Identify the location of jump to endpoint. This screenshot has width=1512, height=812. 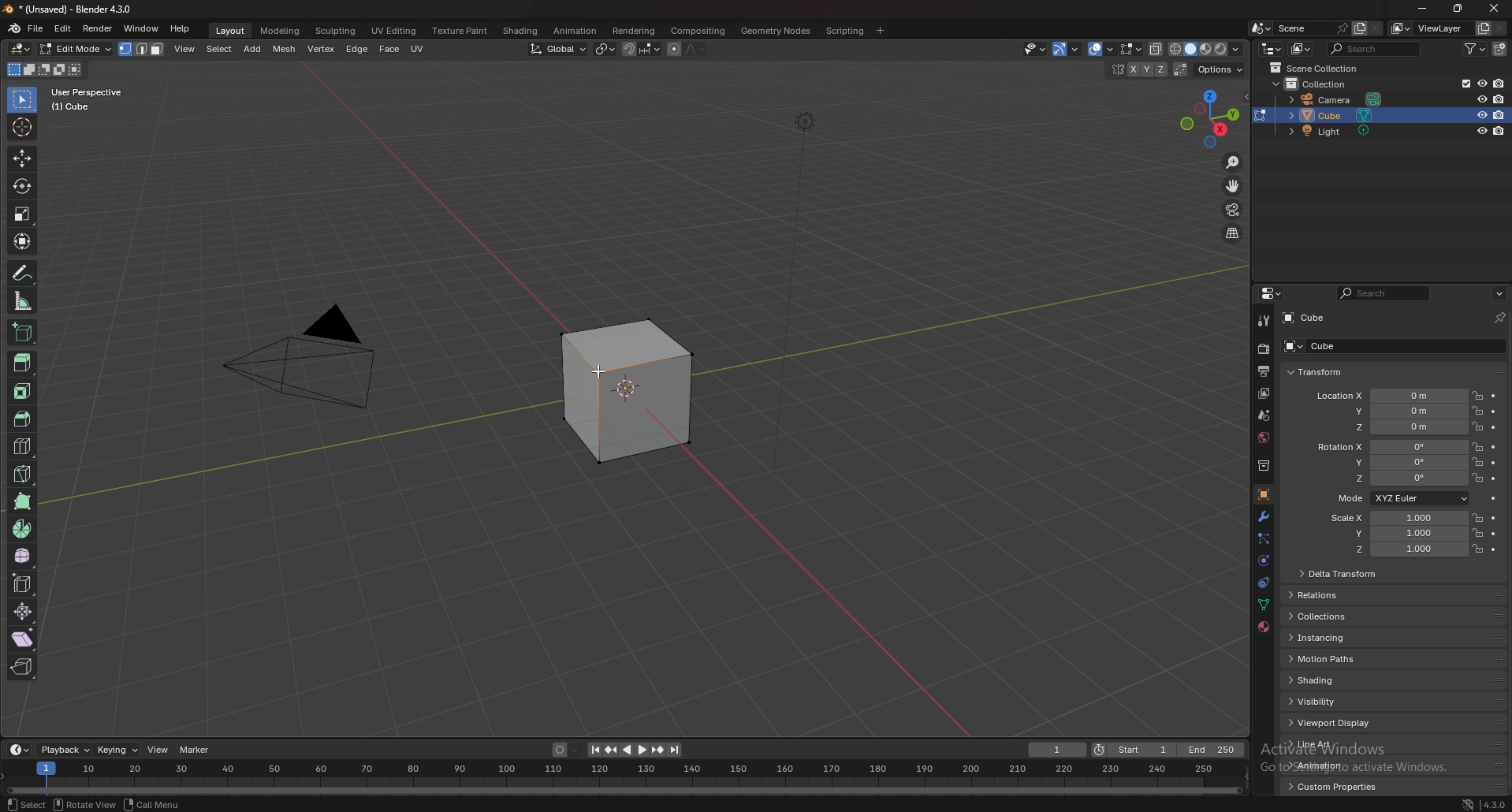
(594, 751).